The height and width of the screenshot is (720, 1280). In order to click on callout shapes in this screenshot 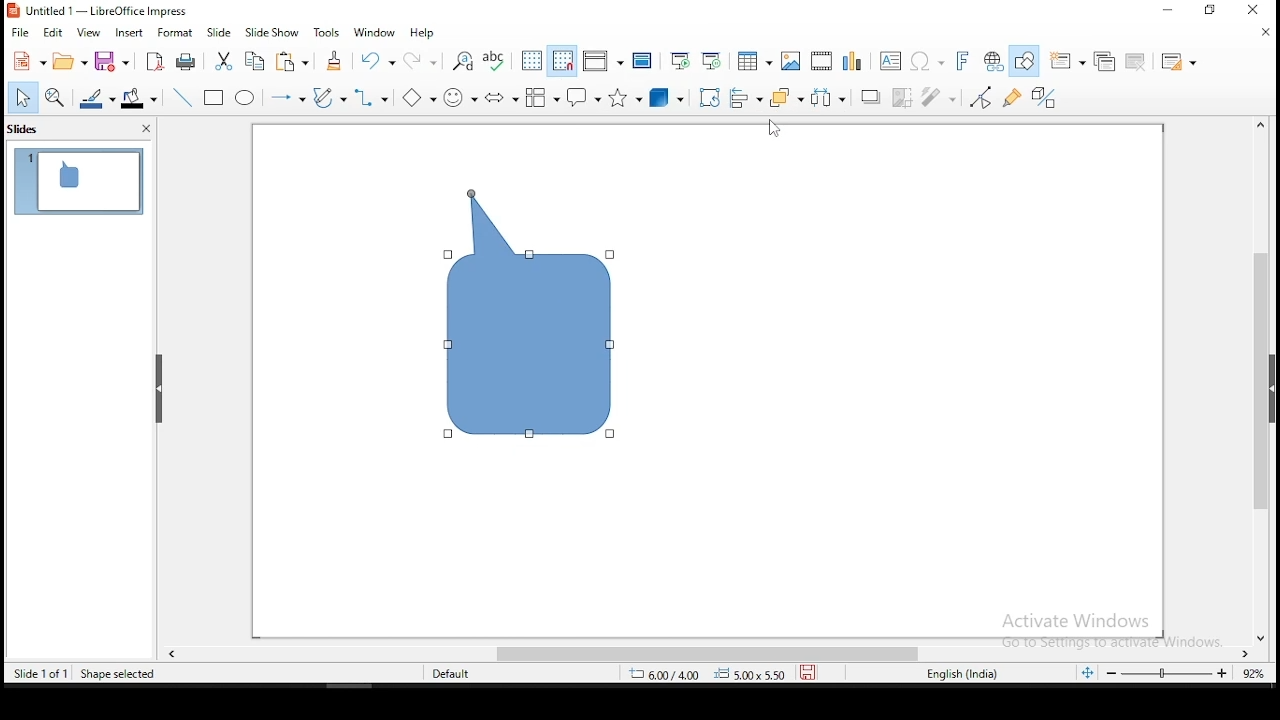, I will do `click(583, 96)`.